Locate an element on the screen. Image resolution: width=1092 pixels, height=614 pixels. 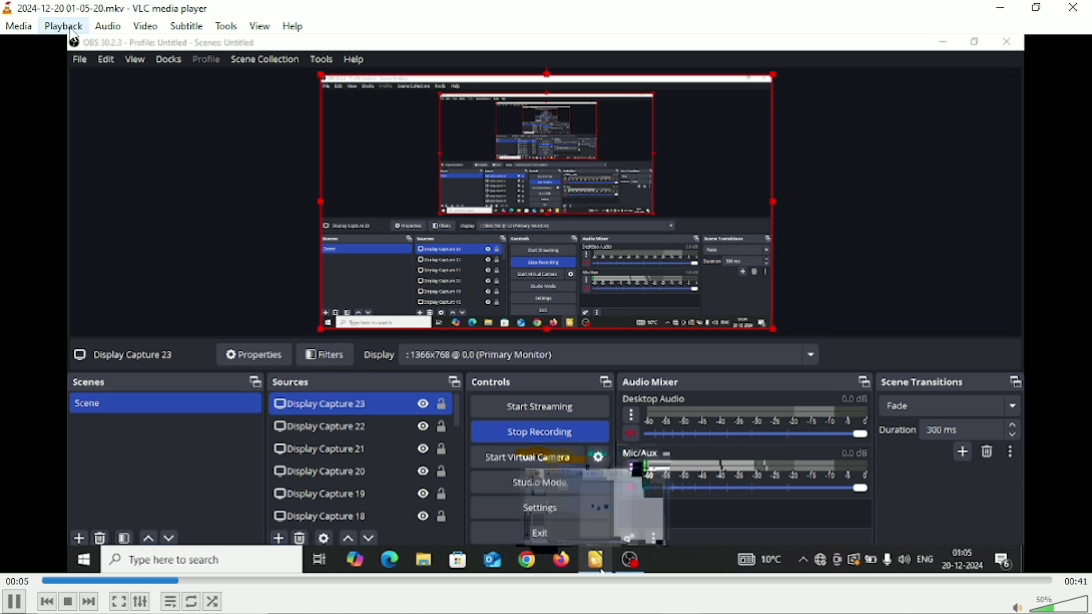
2024-12-20 01-05-20.mkv - VLC media player is located at coordinates (107, 8).